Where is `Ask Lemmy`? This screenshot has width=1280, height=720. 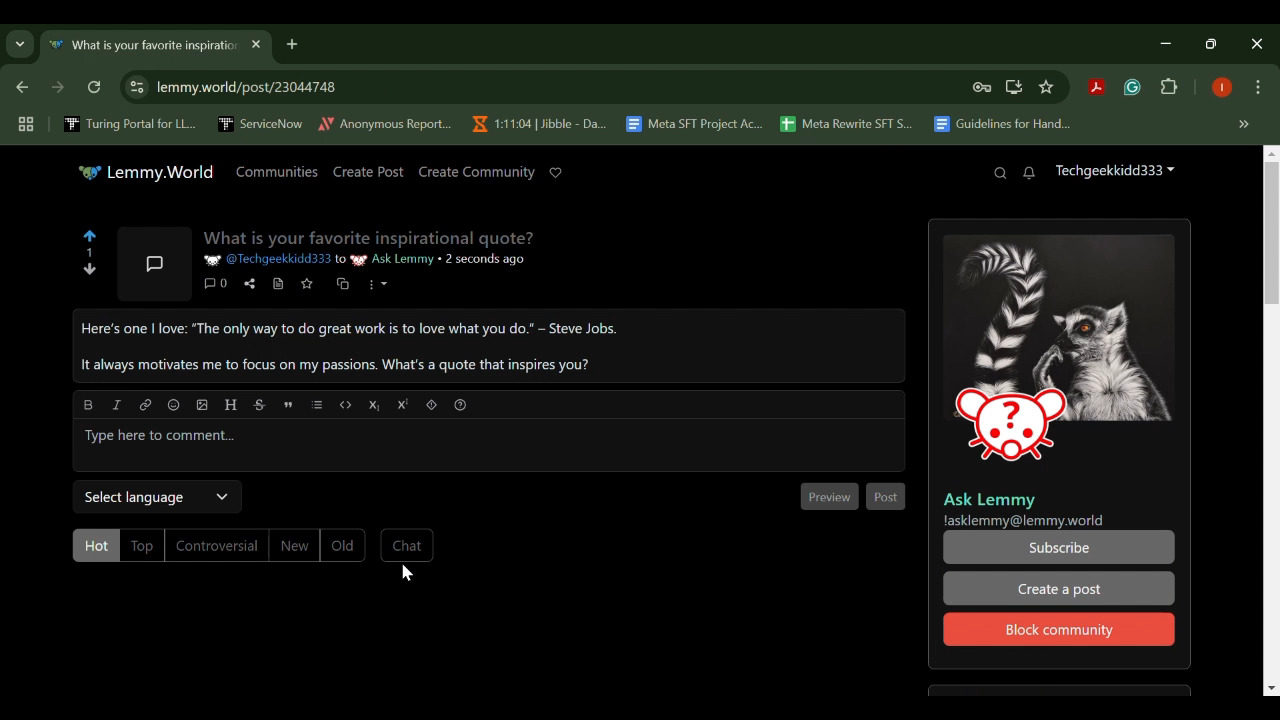
Ask Lemmy is located at coordinates (402, 260).